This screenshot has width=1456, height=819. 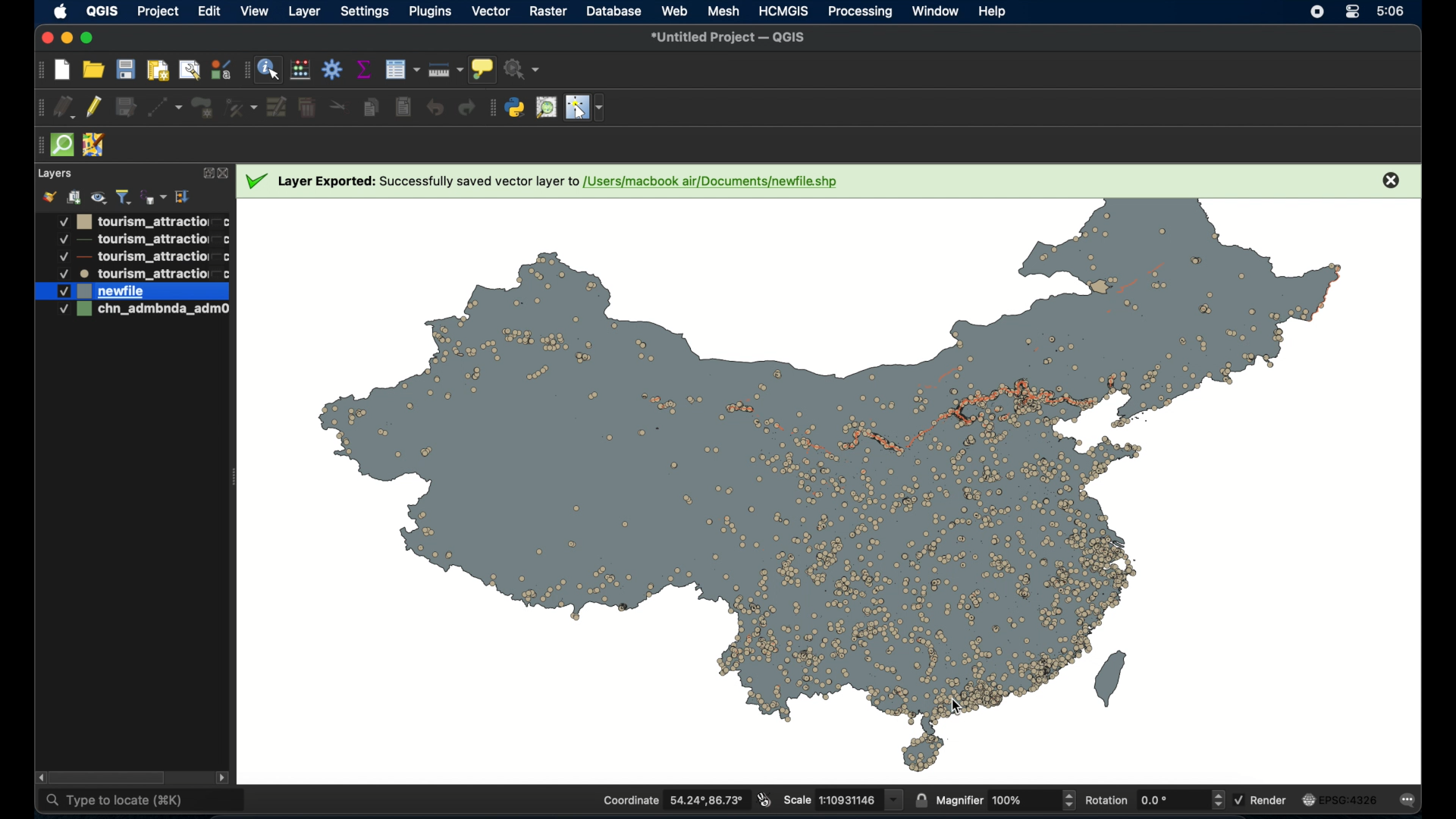 What do you see at coordinates (243, 108) in the screenshot?
I see `vertex tool` at bounding box center [243, 108].